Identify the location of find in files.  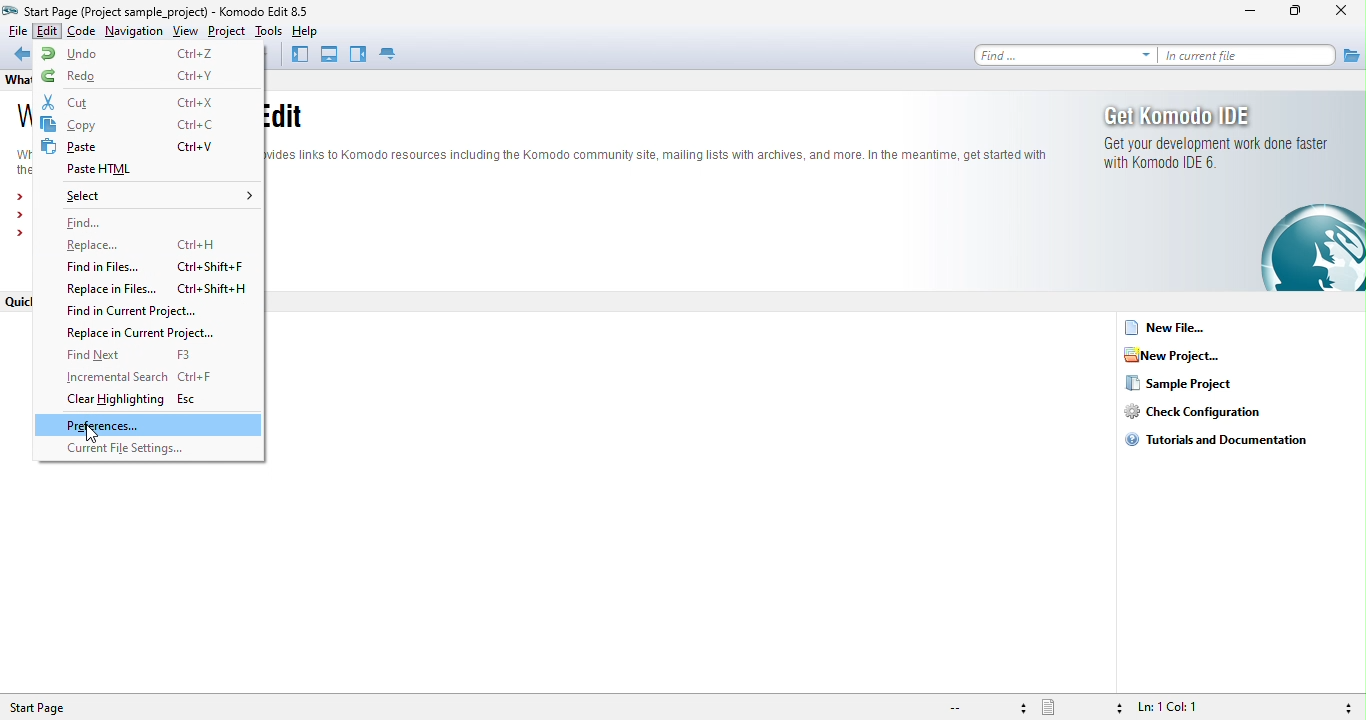
(163, 267).